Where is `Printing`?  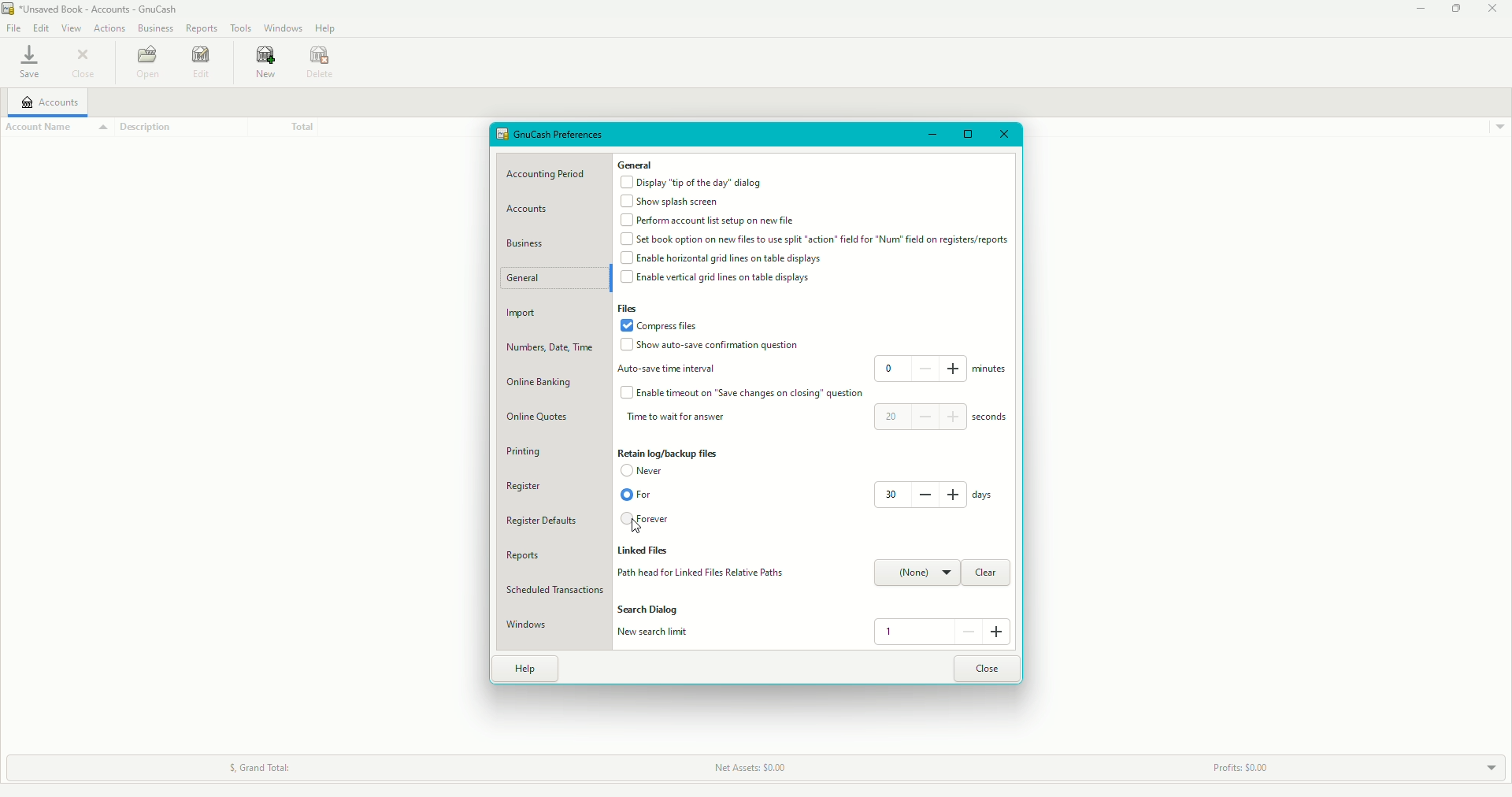
Printing is located at coordinates (523, 451).